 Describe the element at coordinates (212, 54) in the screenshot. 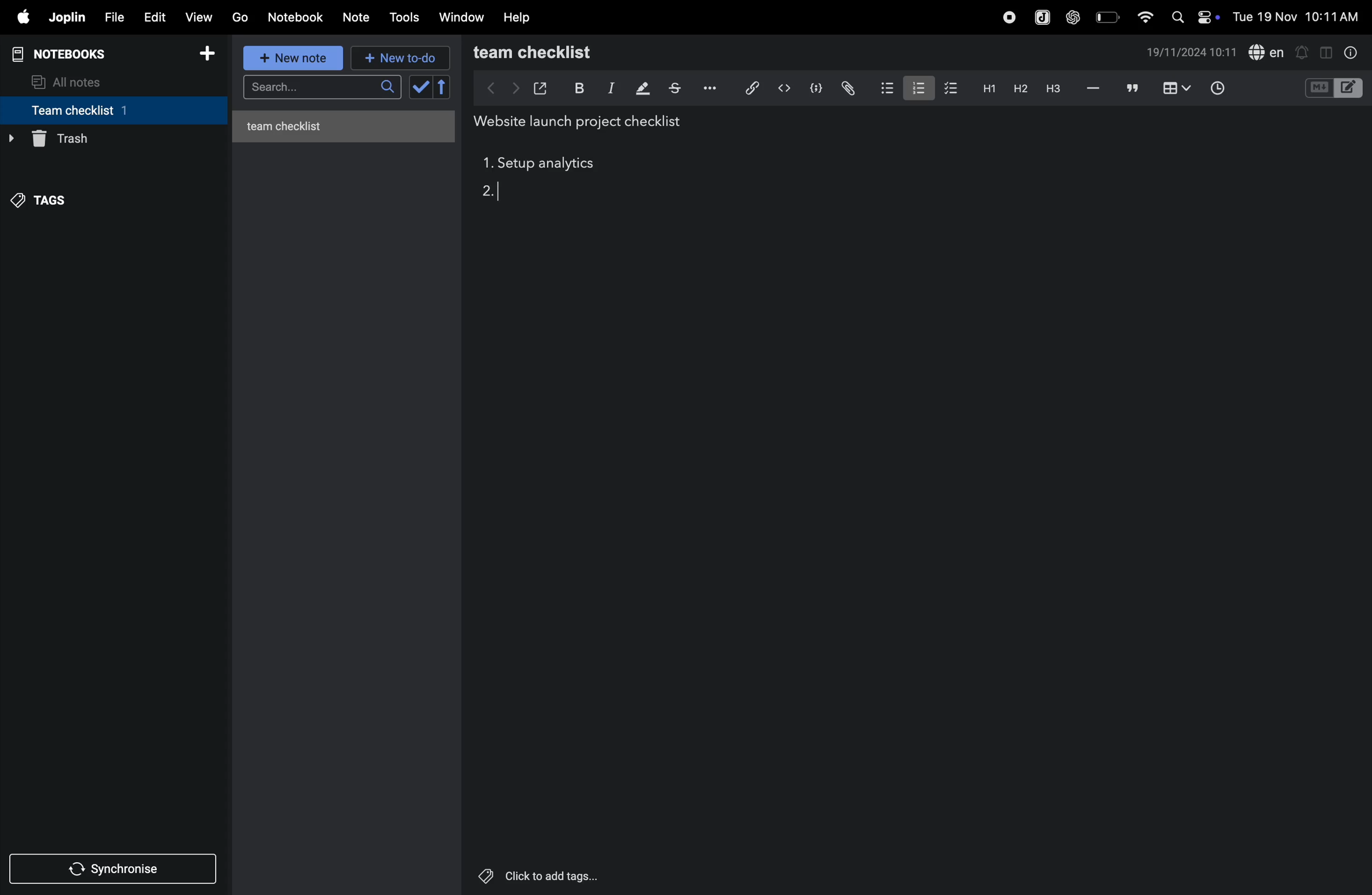

I see `add` at that location.